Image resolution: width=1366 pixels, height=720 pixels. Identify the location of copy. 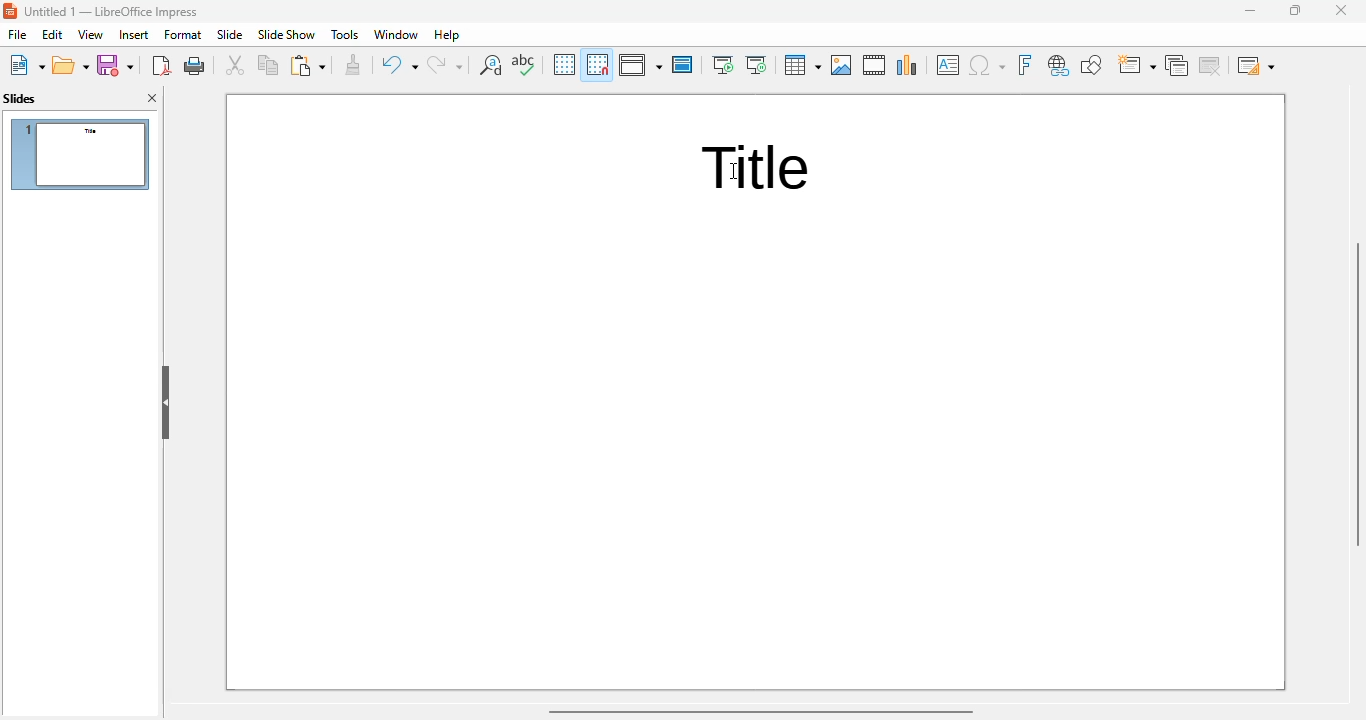
(268, 65).